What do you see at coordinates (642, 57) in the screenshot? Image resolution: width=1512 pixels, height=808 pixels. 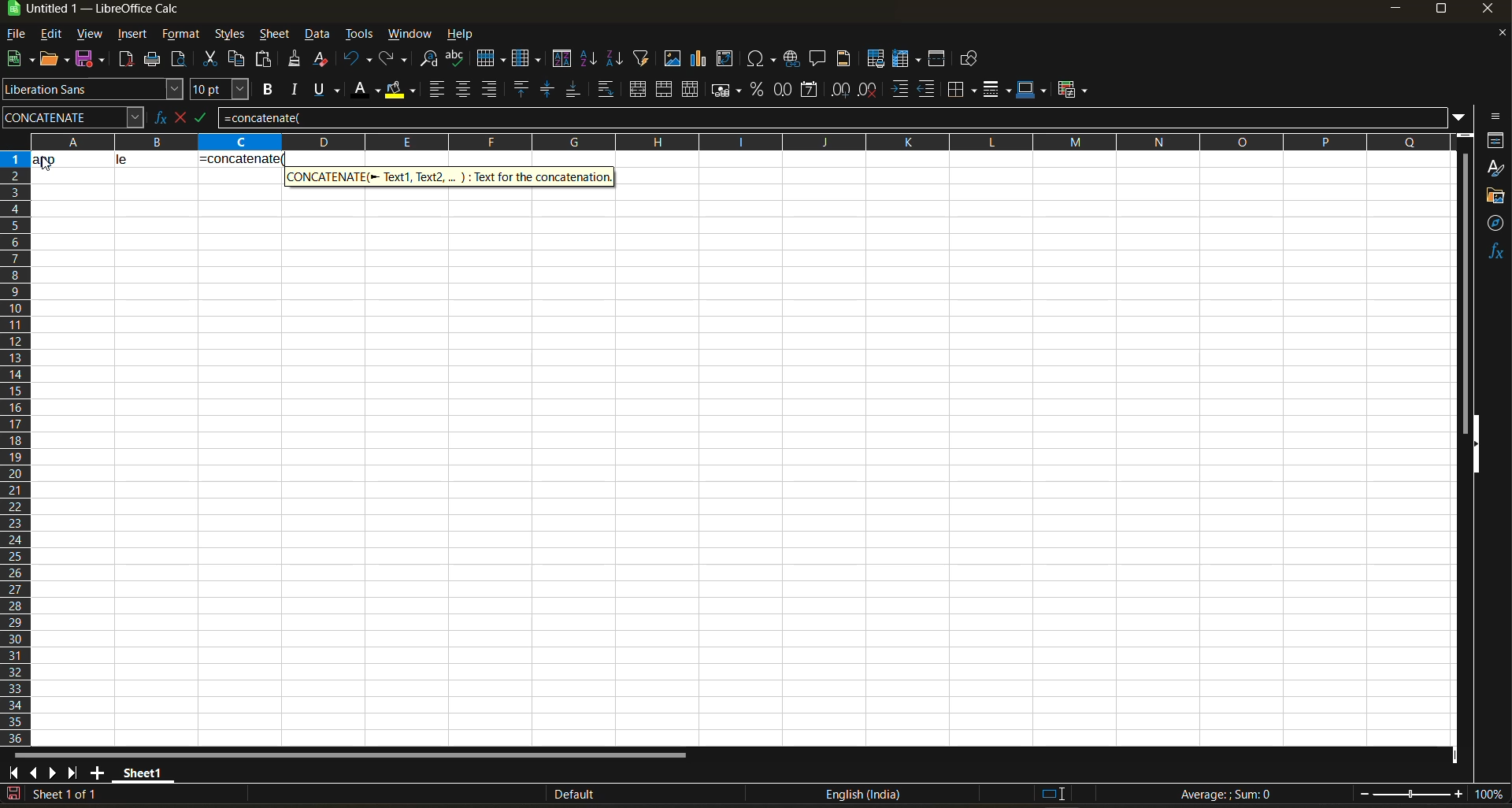 I see `autofilter` at bounding box center [642, 57].